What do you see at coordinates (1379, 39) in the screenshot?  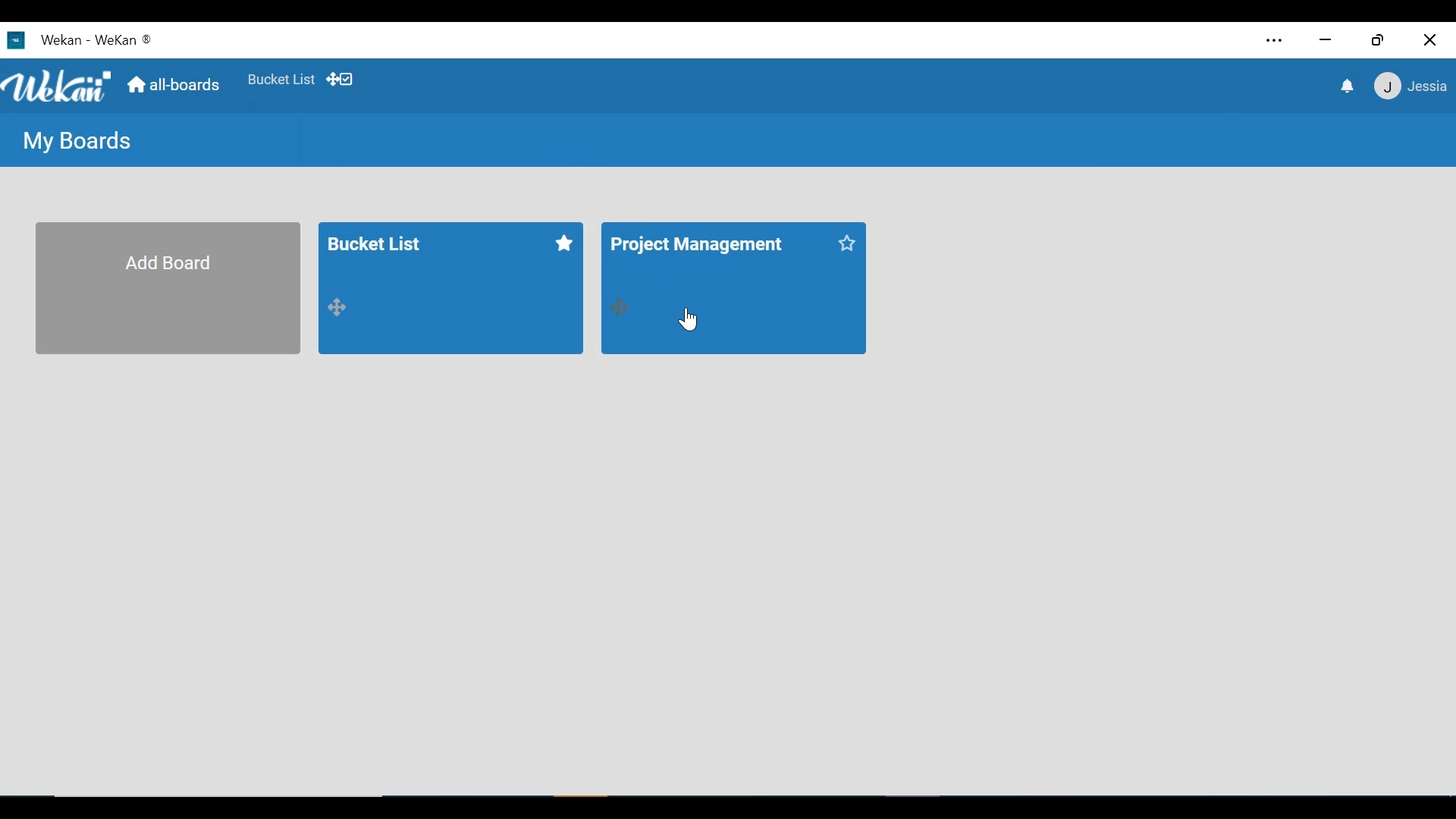 I see `Restore` at bounding box center [1379, 39].